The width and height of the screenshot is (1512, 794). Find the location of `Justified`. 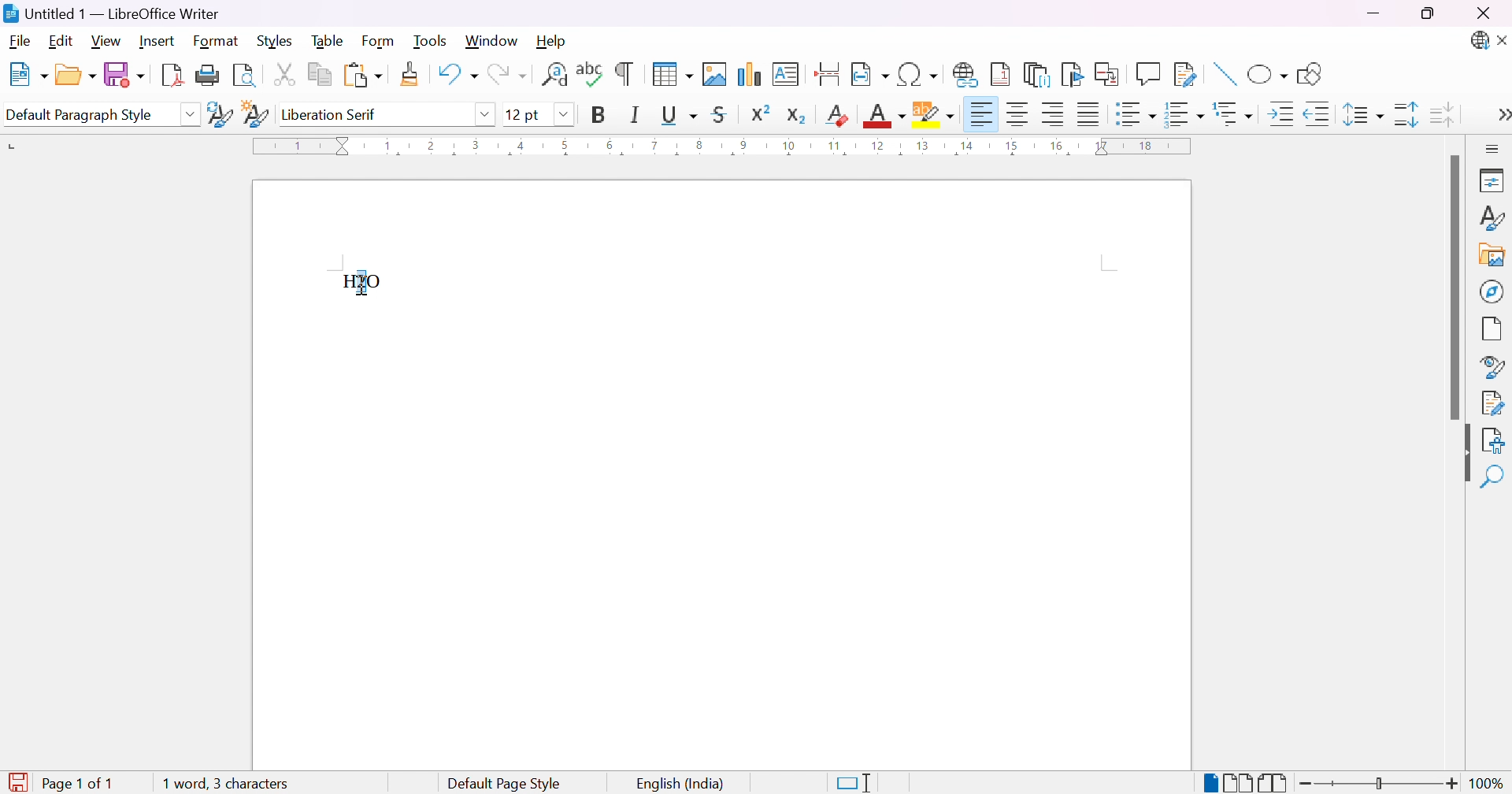

Justified is located at coordinates (1089, 113).